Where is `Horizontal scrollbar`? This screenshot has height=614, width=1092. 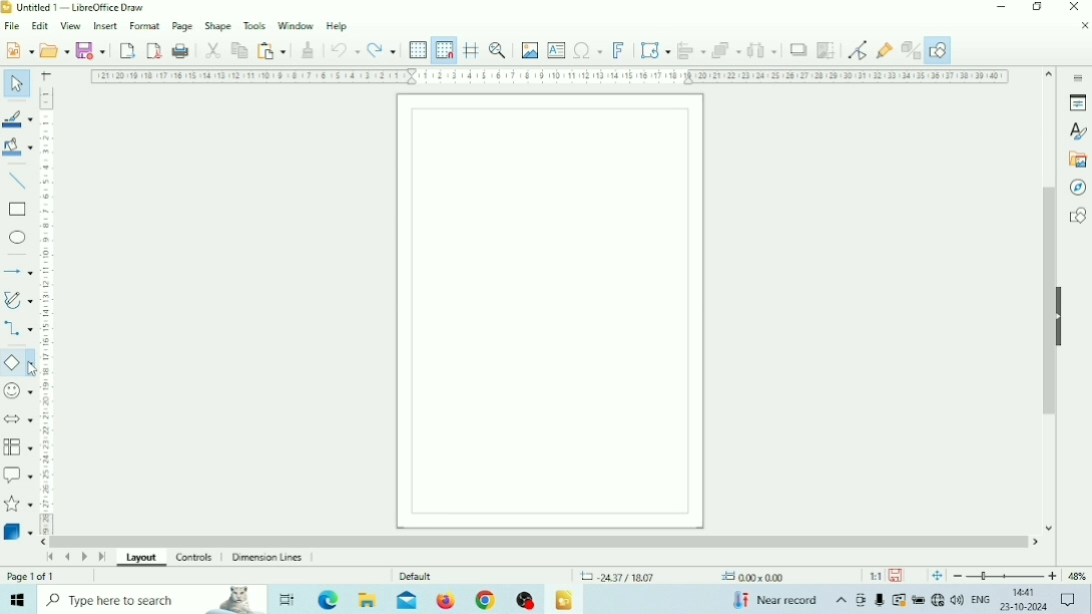 Horizontal scrollbar is located at coordinates (540, 541).